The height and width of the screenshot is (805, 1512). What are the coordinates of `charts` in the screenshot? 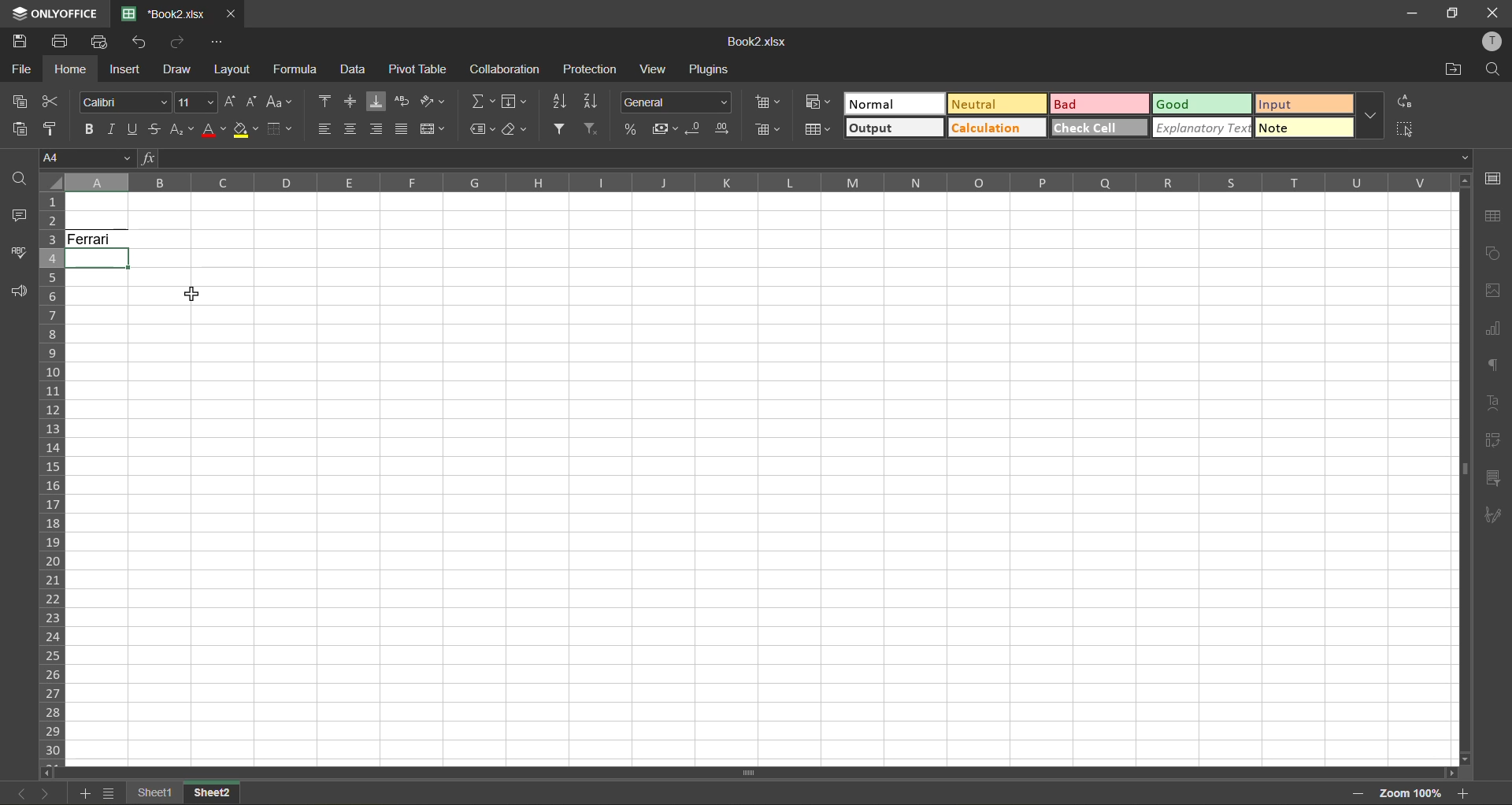 It's located at (1491, 328).